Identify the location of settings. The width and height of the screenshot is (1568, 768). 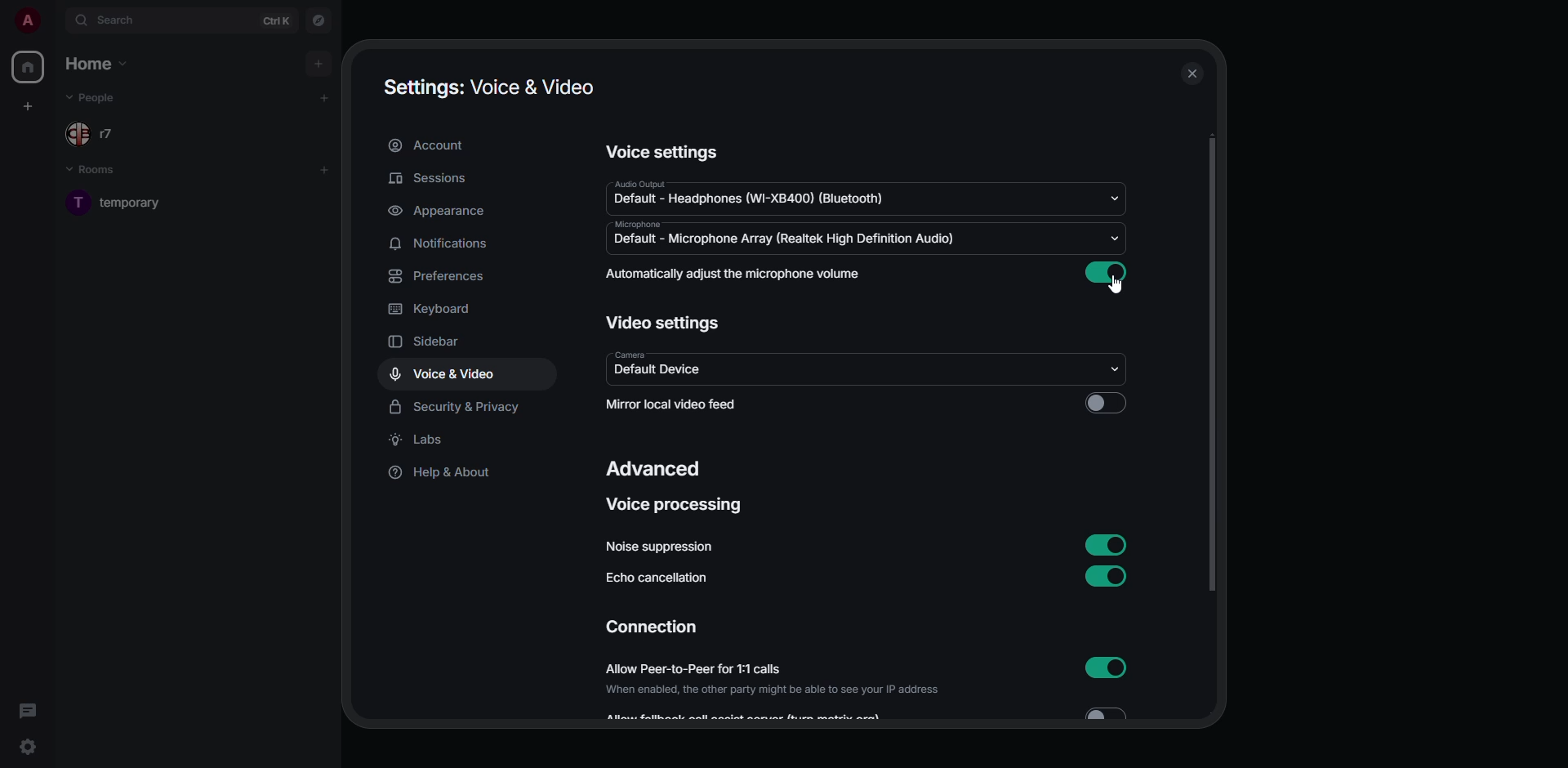
(28, 747).